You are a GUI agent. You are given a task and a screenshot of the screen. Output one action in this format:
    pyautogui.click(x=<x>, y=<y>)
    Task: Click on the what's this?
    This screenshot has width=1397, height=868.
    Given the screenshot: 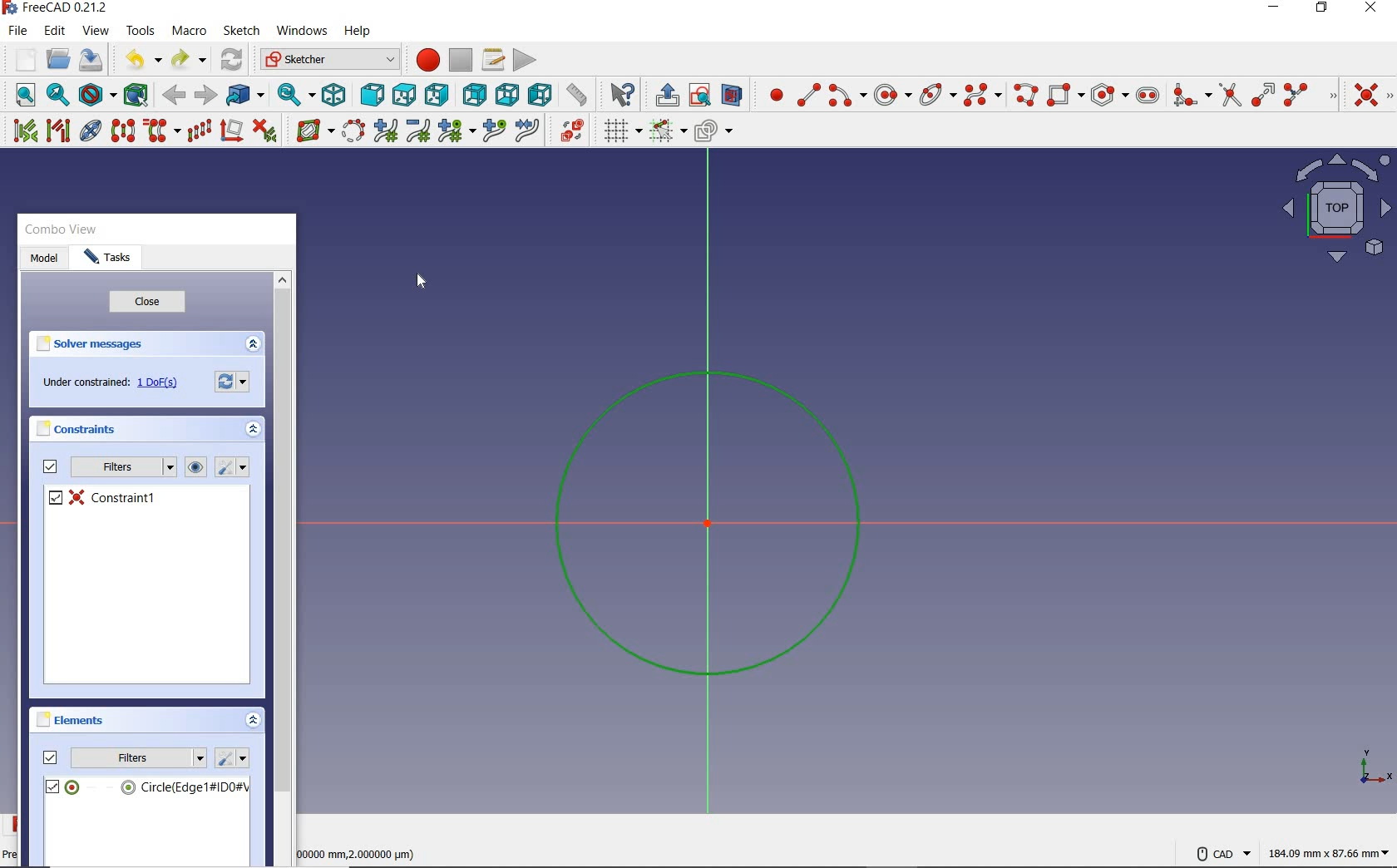 What is the action you would take?
    pyautogui.click(x=620, y=94)
    